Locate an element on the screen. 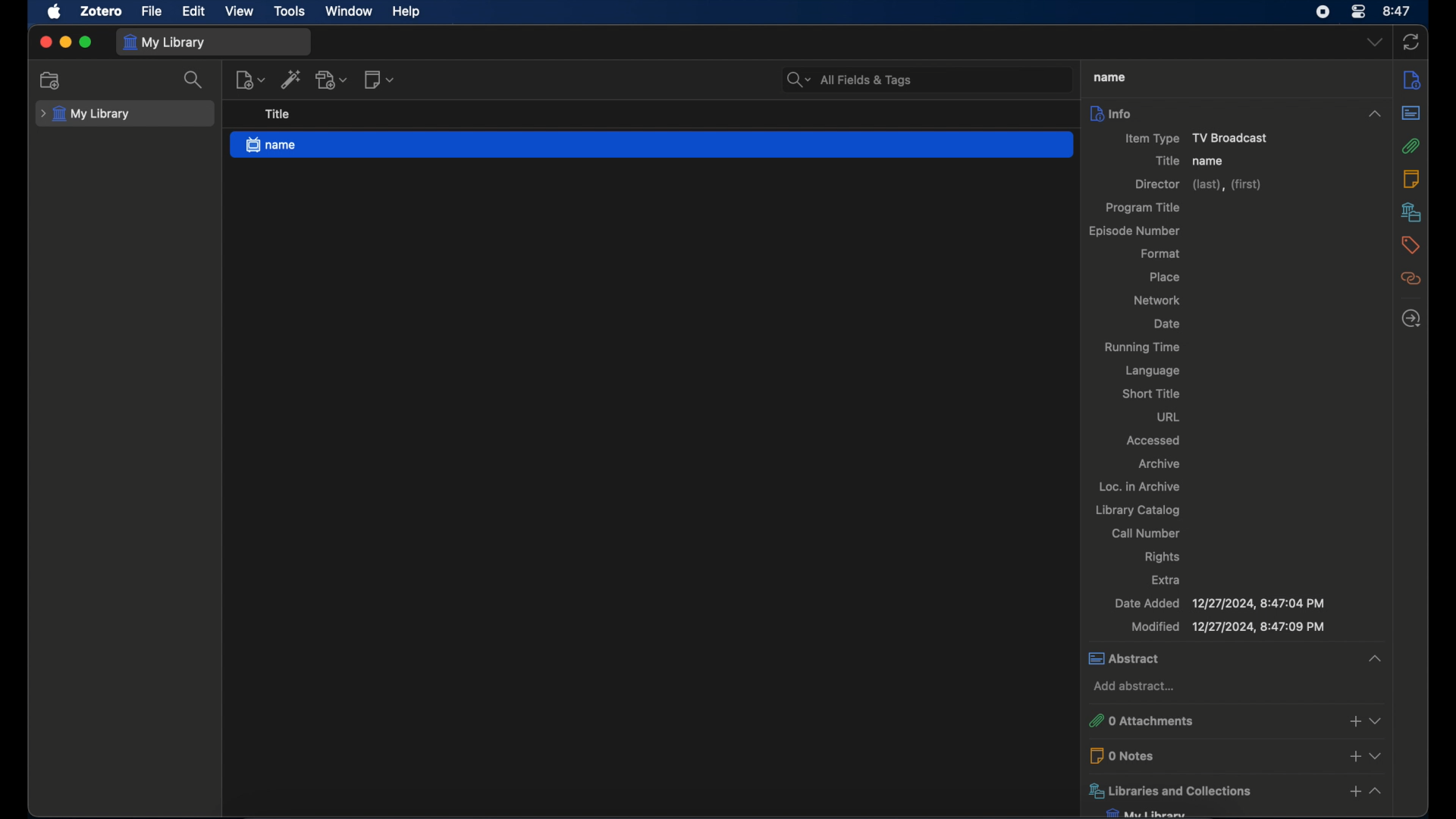 This screenshot has width=1456, height=819. program title is located at coordinates (1145, 208).